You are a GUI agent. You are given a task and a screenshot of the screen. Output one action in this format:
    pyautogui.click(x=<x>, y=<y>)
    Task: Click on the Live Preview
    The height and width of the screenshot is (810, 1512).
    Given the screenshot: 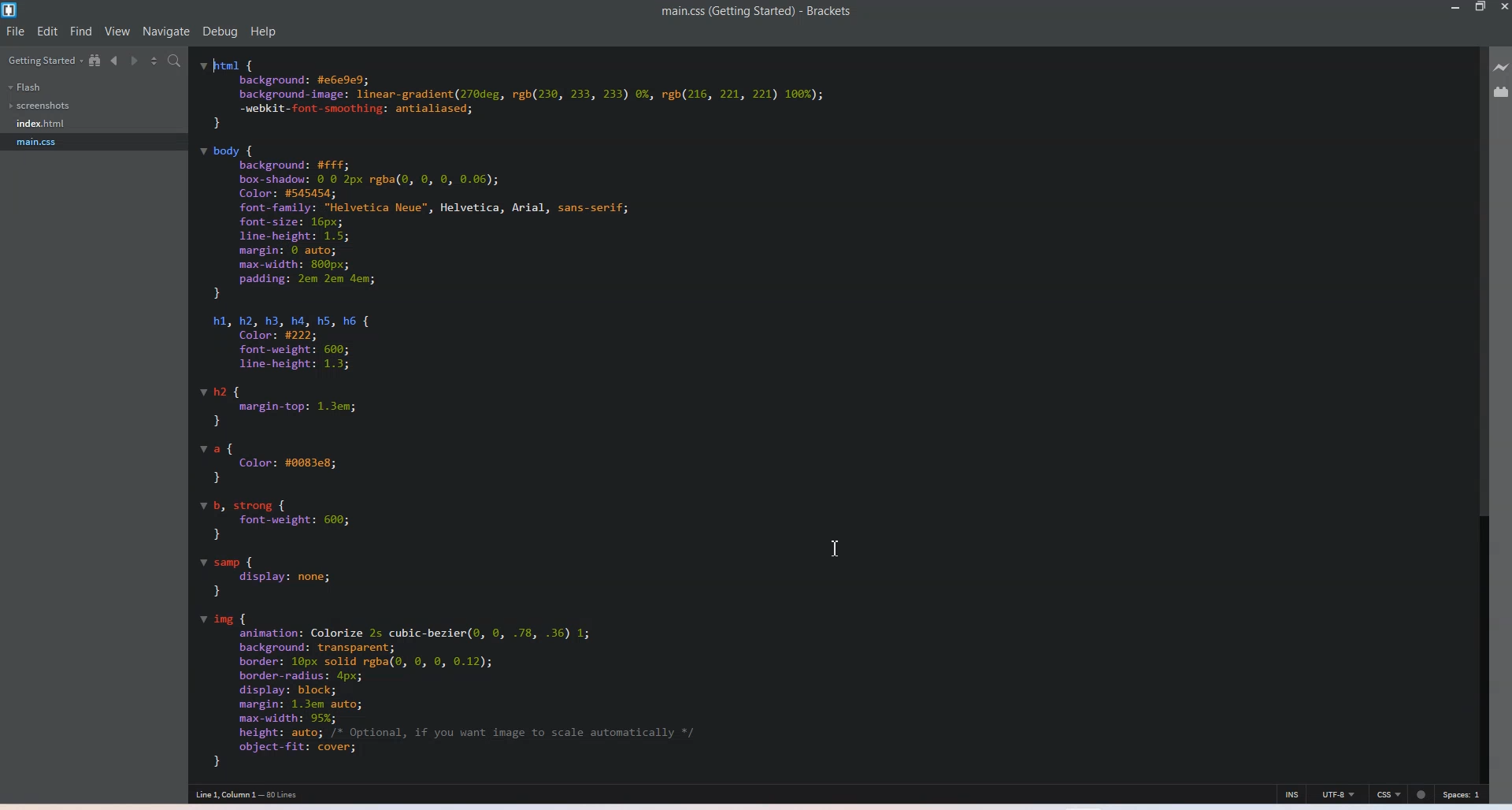 What is the action you would take?
    pyautogui.click(x=1503, y=68)
    